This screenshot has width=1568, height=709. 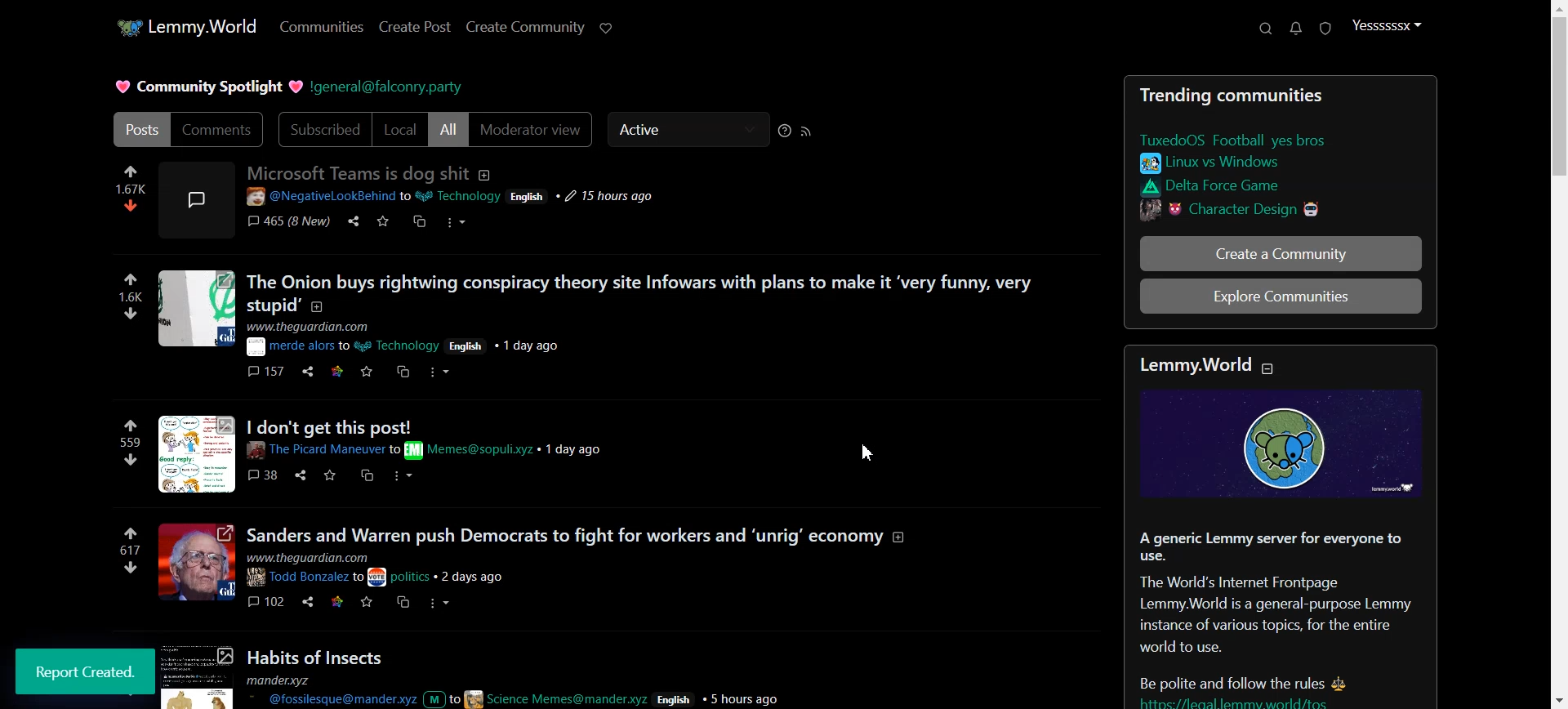 I want to click on cs, so click(x=404, y=372).